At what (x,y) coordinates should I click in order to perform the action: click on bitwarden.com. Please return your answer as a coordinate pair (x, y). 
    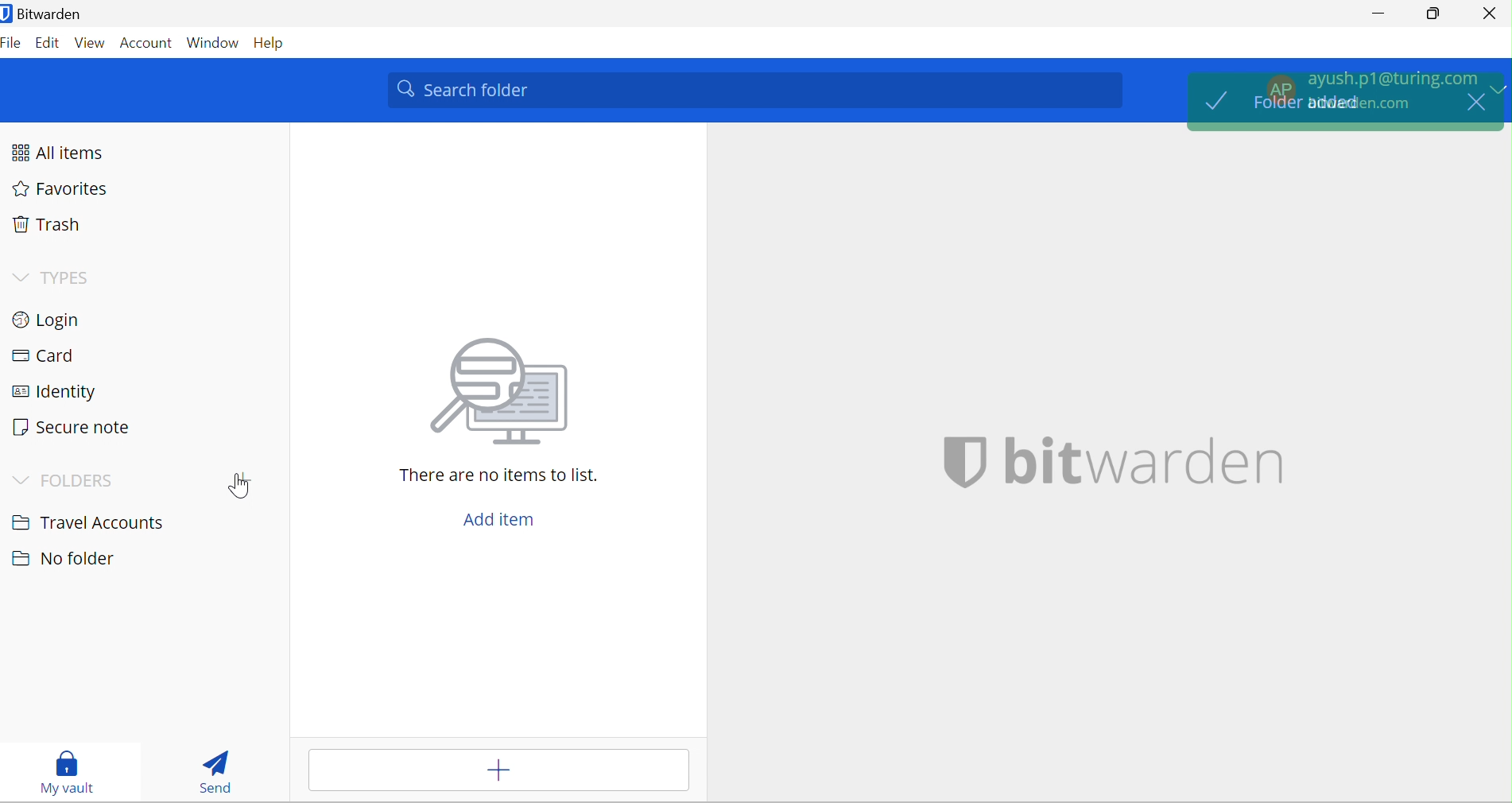
    Looking at the image, I should click on (1359, 103).